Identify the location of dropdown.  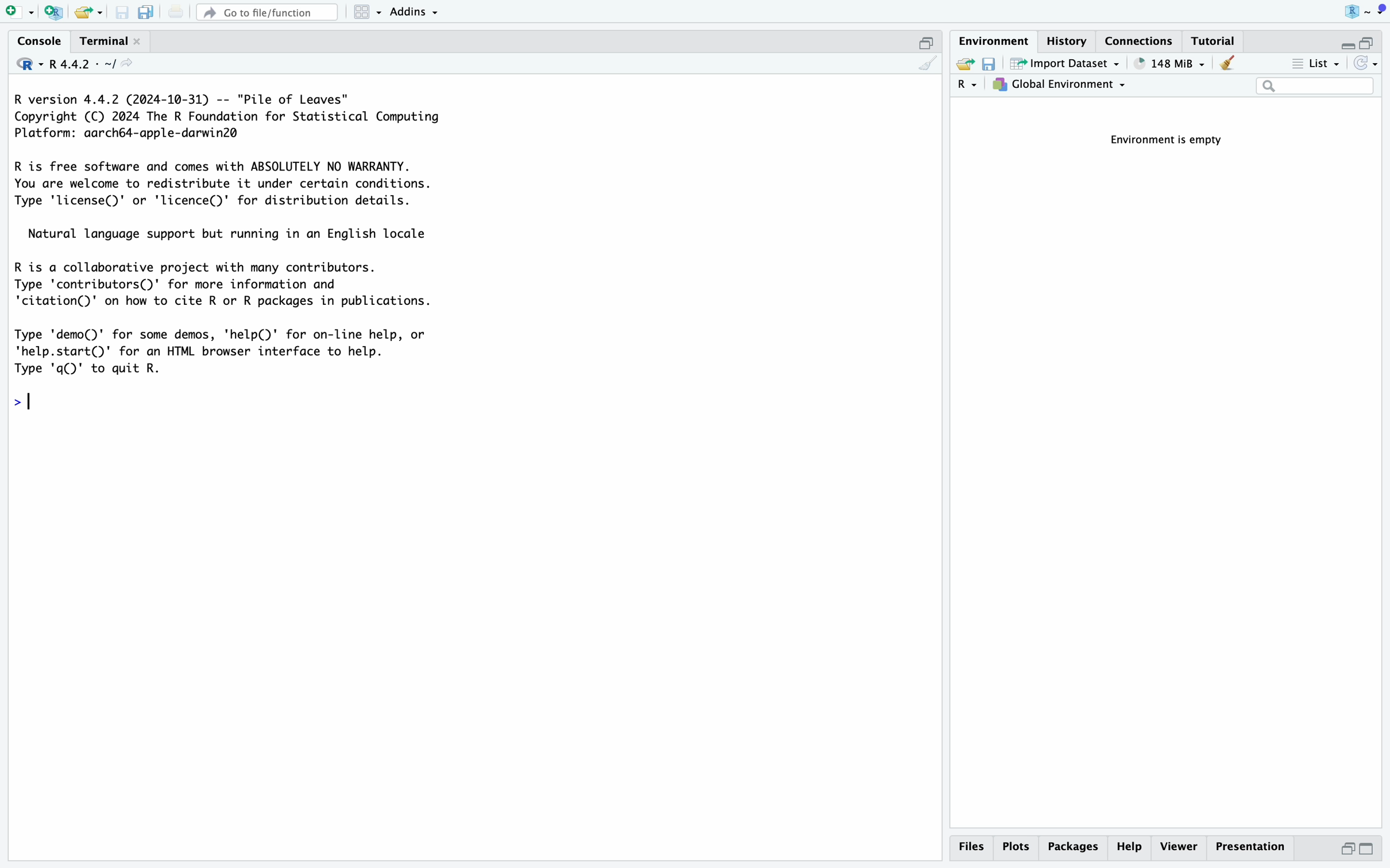
(1380, 10).